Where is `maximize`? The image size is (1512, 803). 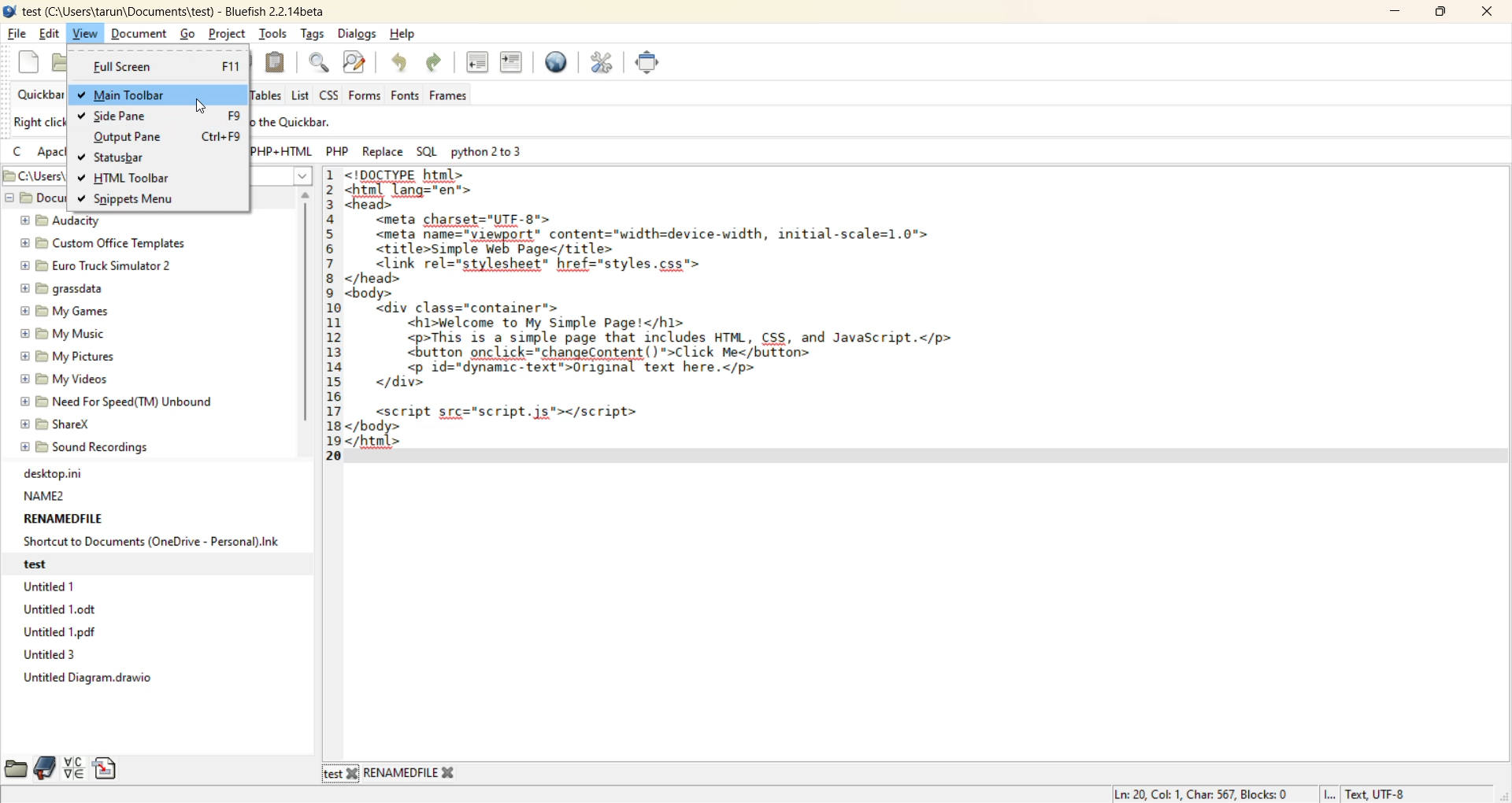
maximize is located at coordinates (1440, 14).